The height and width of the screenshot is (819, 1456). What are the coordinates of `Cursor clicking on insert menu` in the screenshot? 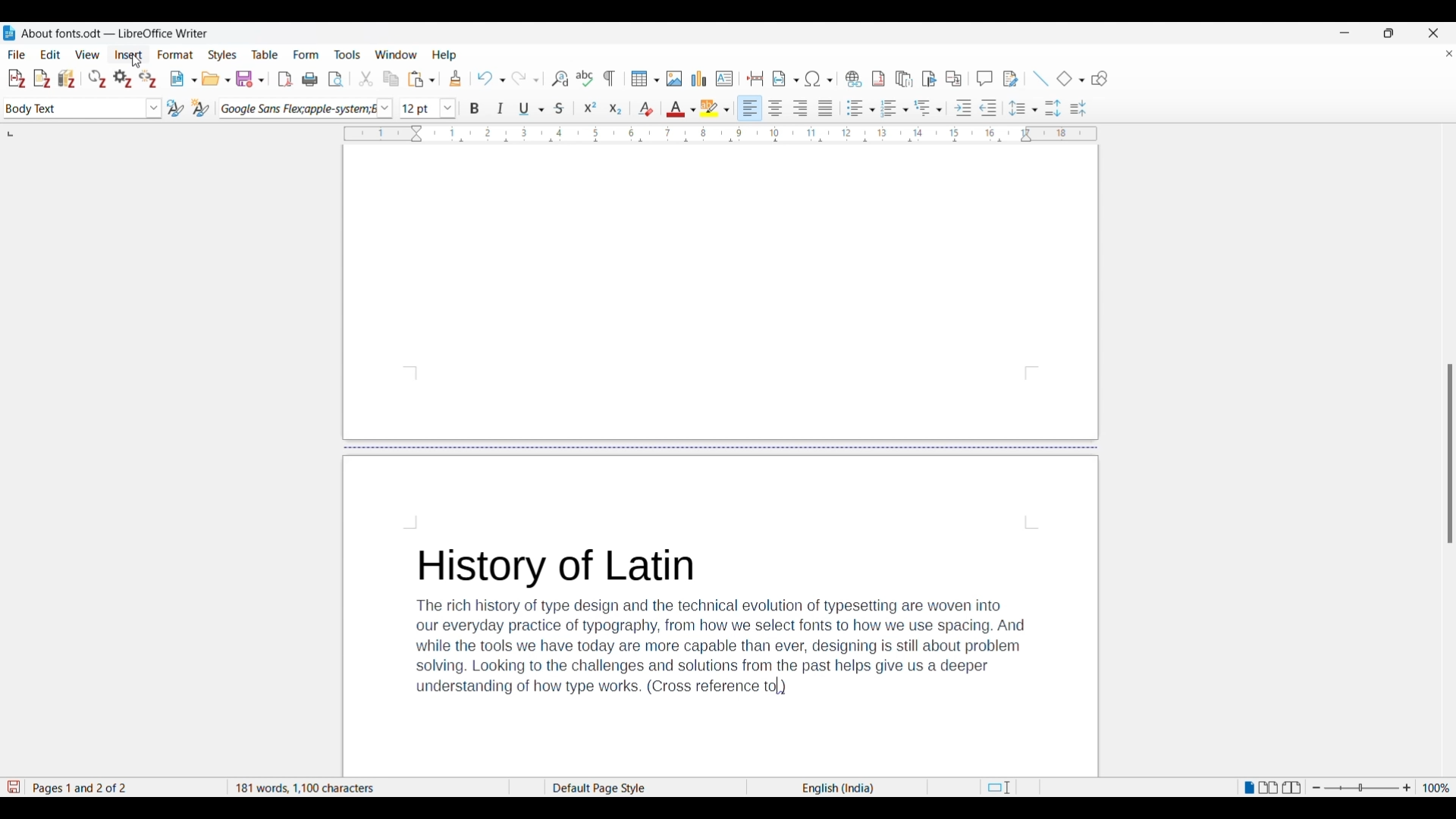 It's located at (136, 61).